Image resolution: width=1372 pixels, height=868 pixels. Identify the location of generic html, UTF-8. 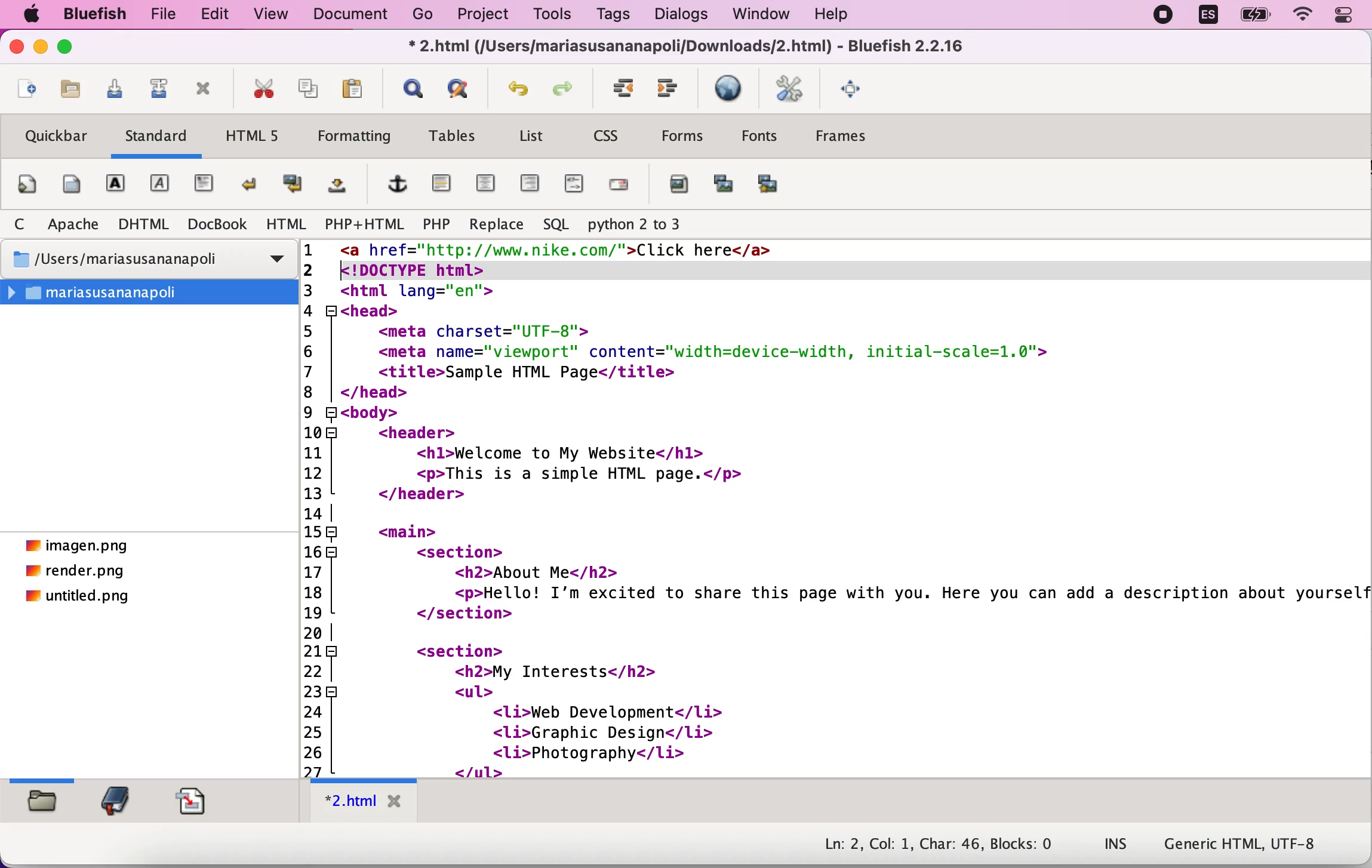
(1242, 846).